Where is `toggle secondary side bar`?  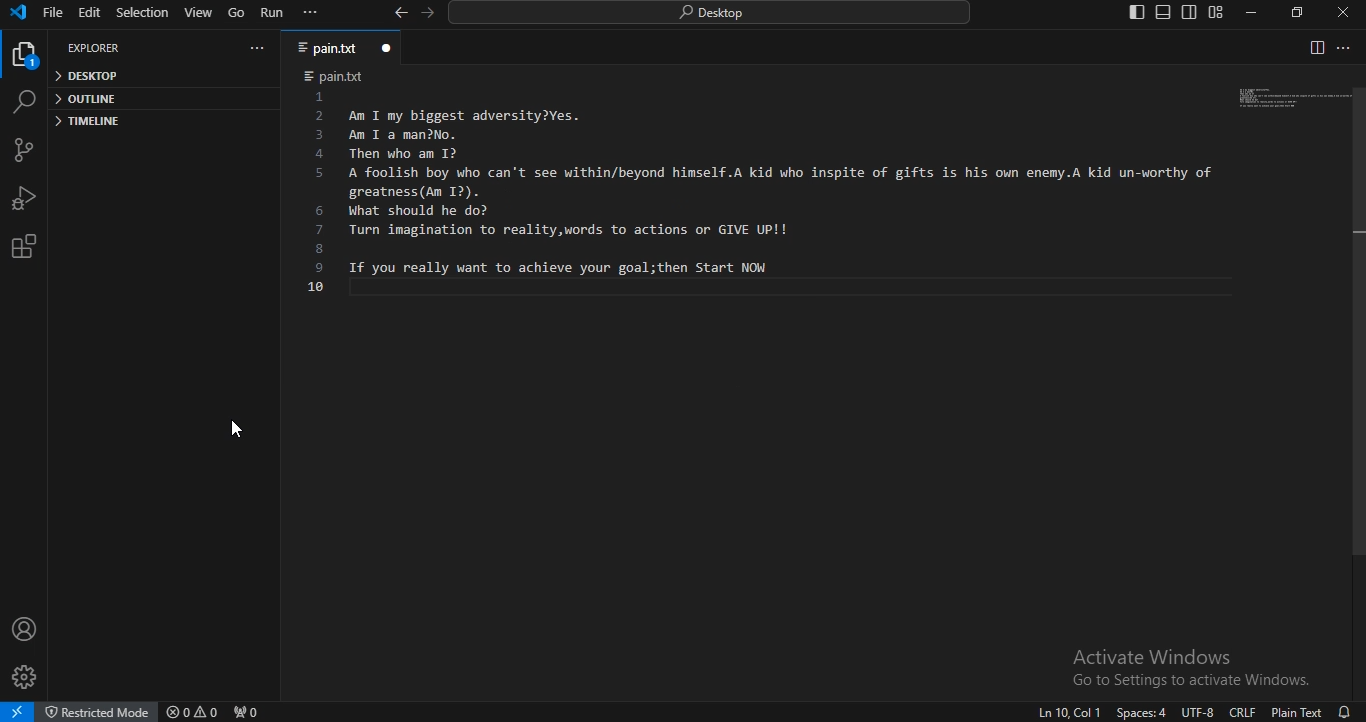
toggle secondary side bar is located at coordinates (1191, 13).